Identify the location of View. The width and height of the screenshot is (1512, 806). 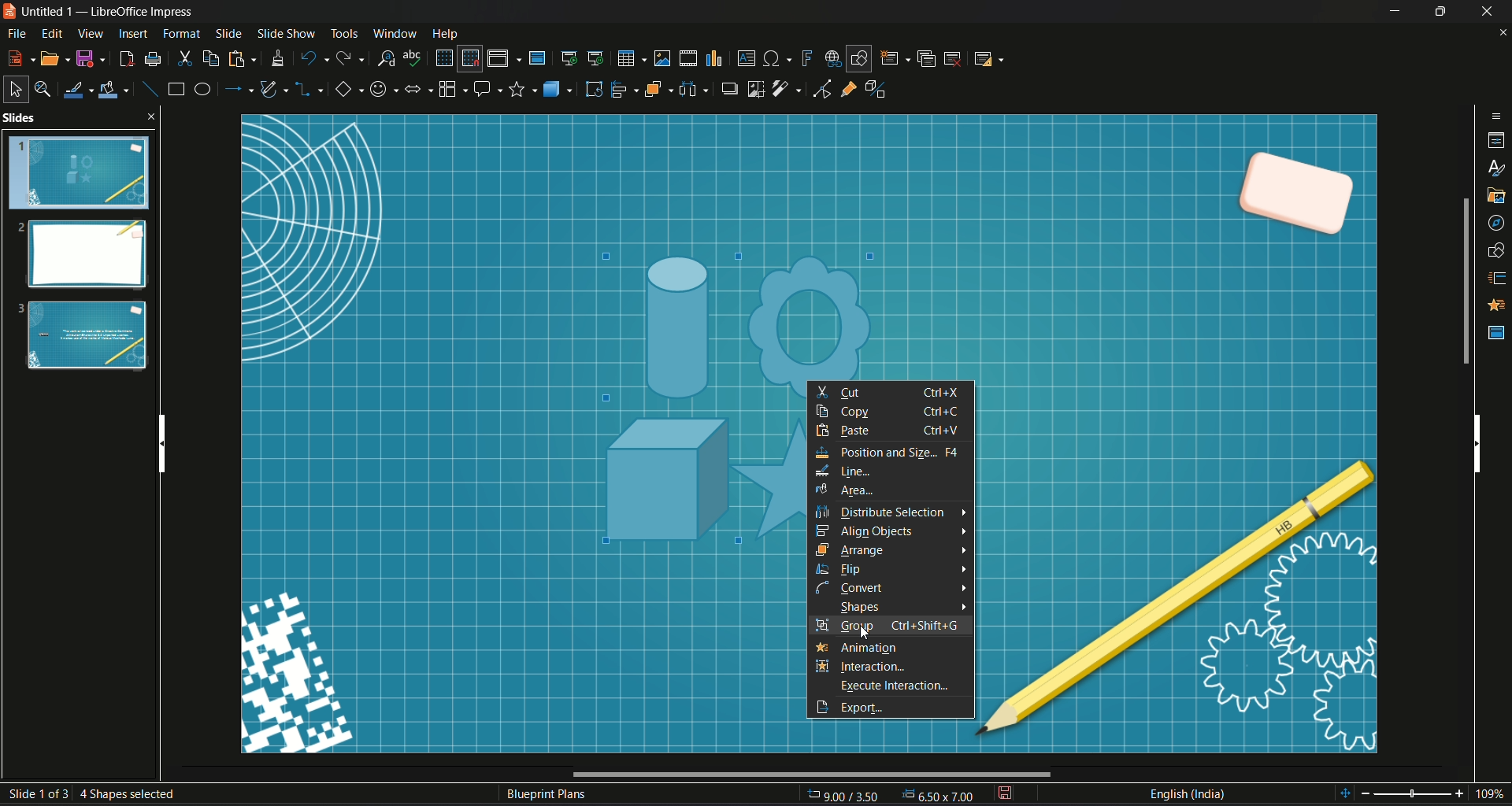
(91, 33).